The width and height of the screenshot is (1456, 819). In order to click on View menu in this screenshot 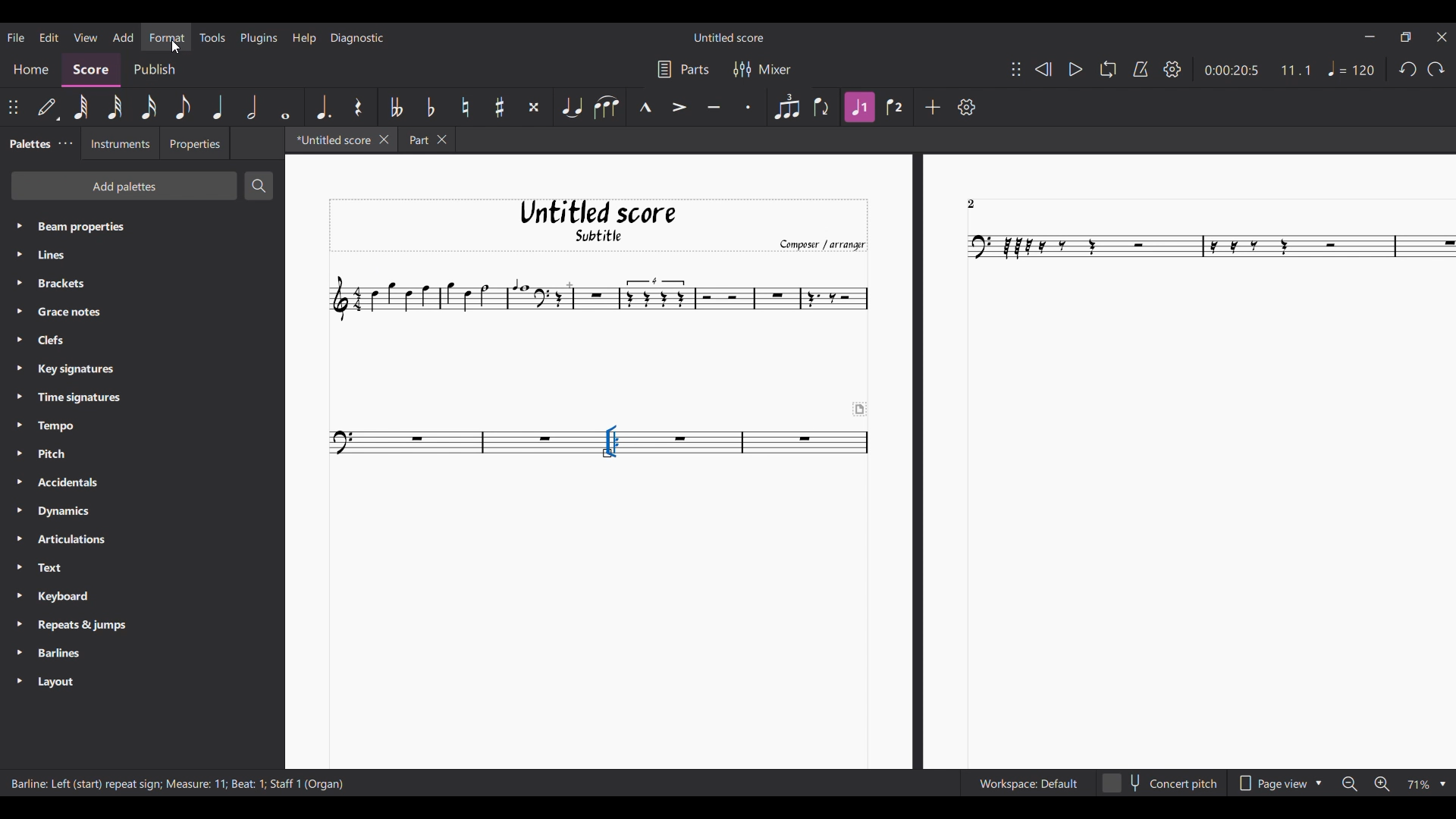, I will do `click(86, 38)`.